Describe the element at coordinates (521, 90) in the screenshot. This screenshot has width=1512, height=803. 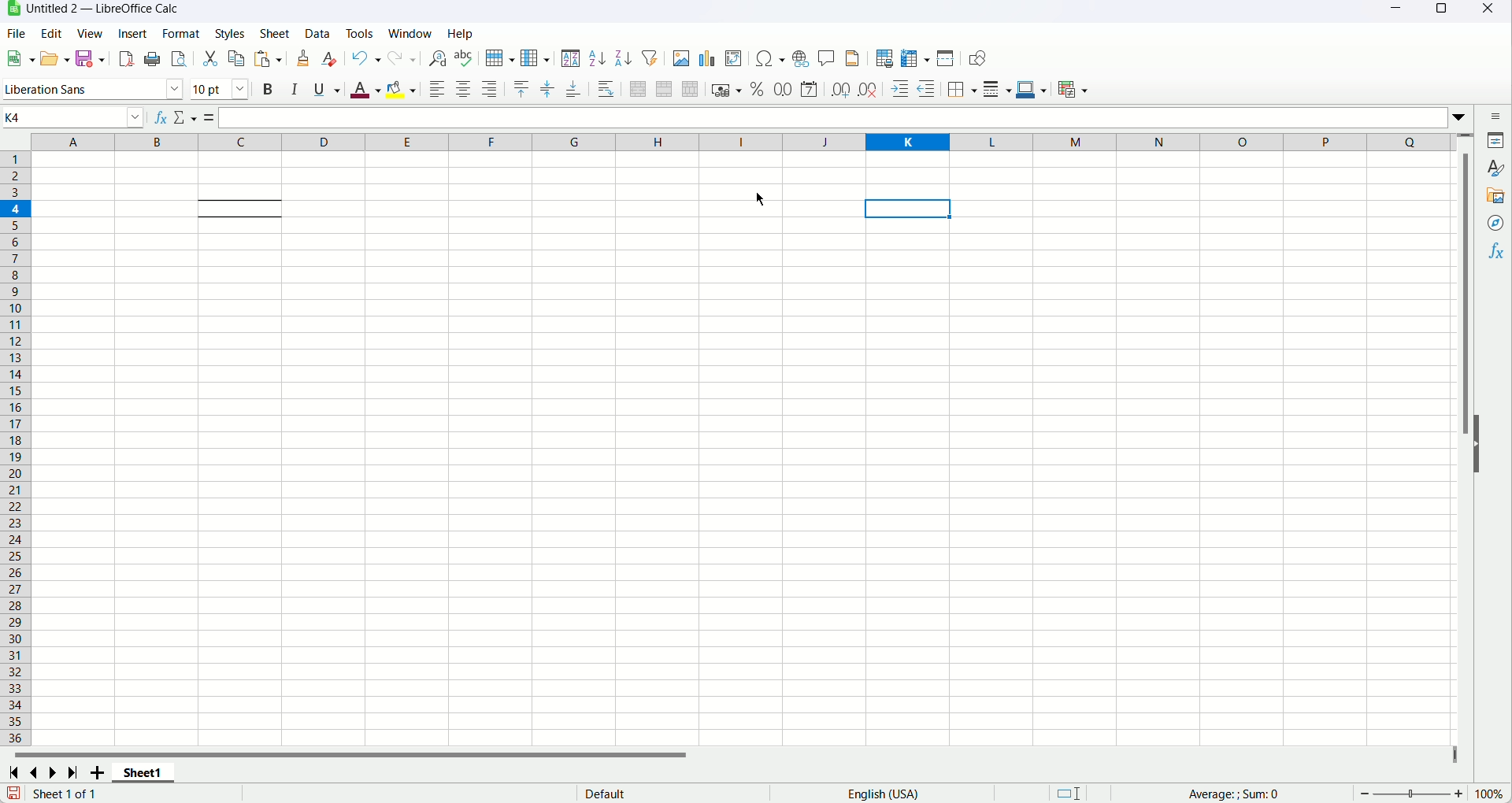
I see `Align Top` at that location.